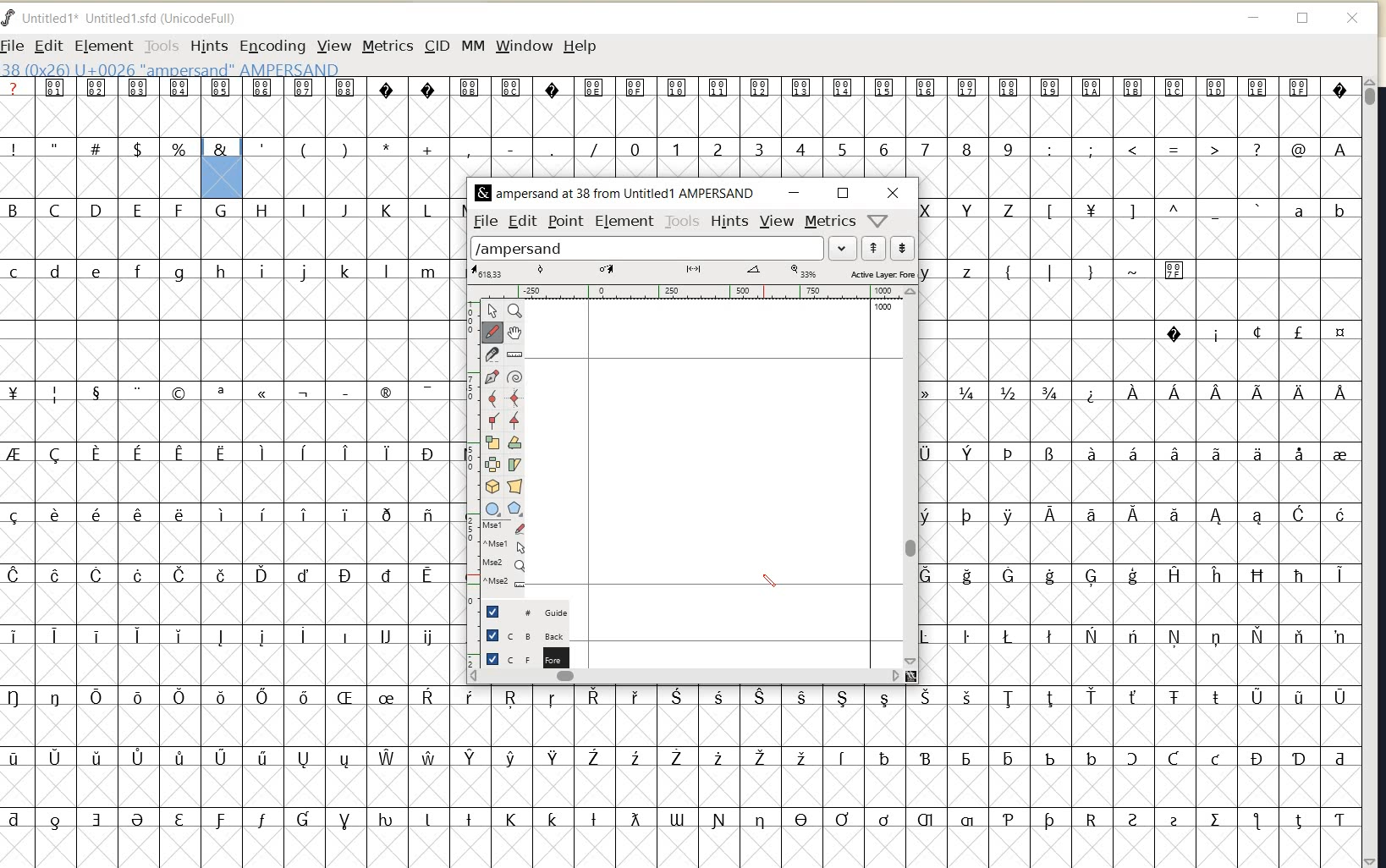  I want to click on perform a perspective transformation on the selection, so click(514, 487).